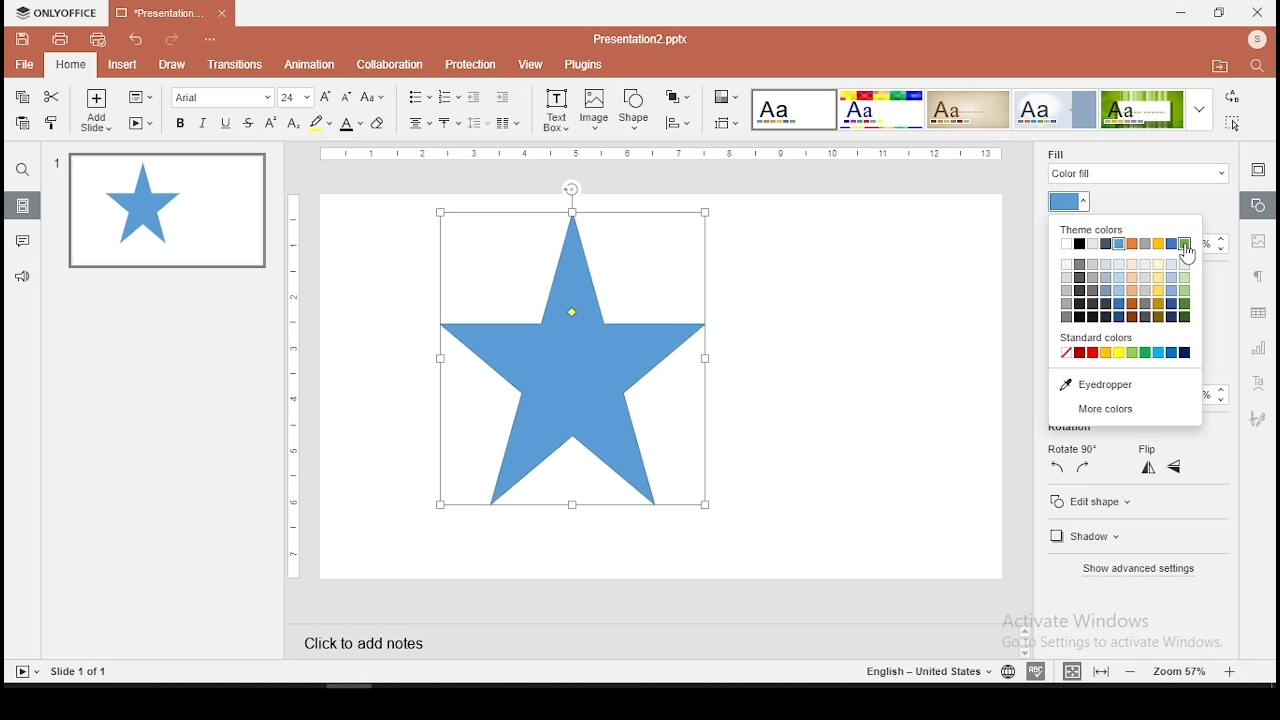 This screenshot has width=1280, height=720. What do you see at coordinates (297, 383) in the screenshot?
I see `vertical scale` at bounding box center [297, 383].